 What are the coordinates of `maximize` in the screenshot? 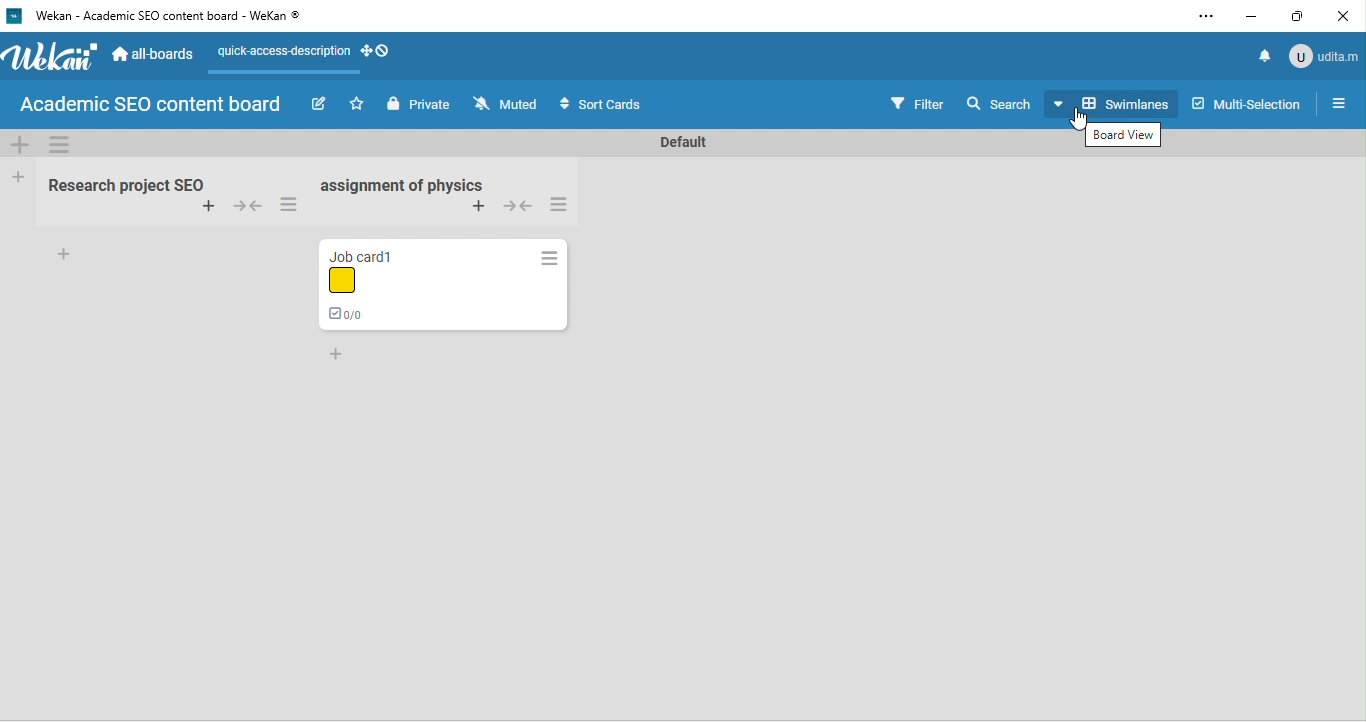 It's located at (1298, 16).